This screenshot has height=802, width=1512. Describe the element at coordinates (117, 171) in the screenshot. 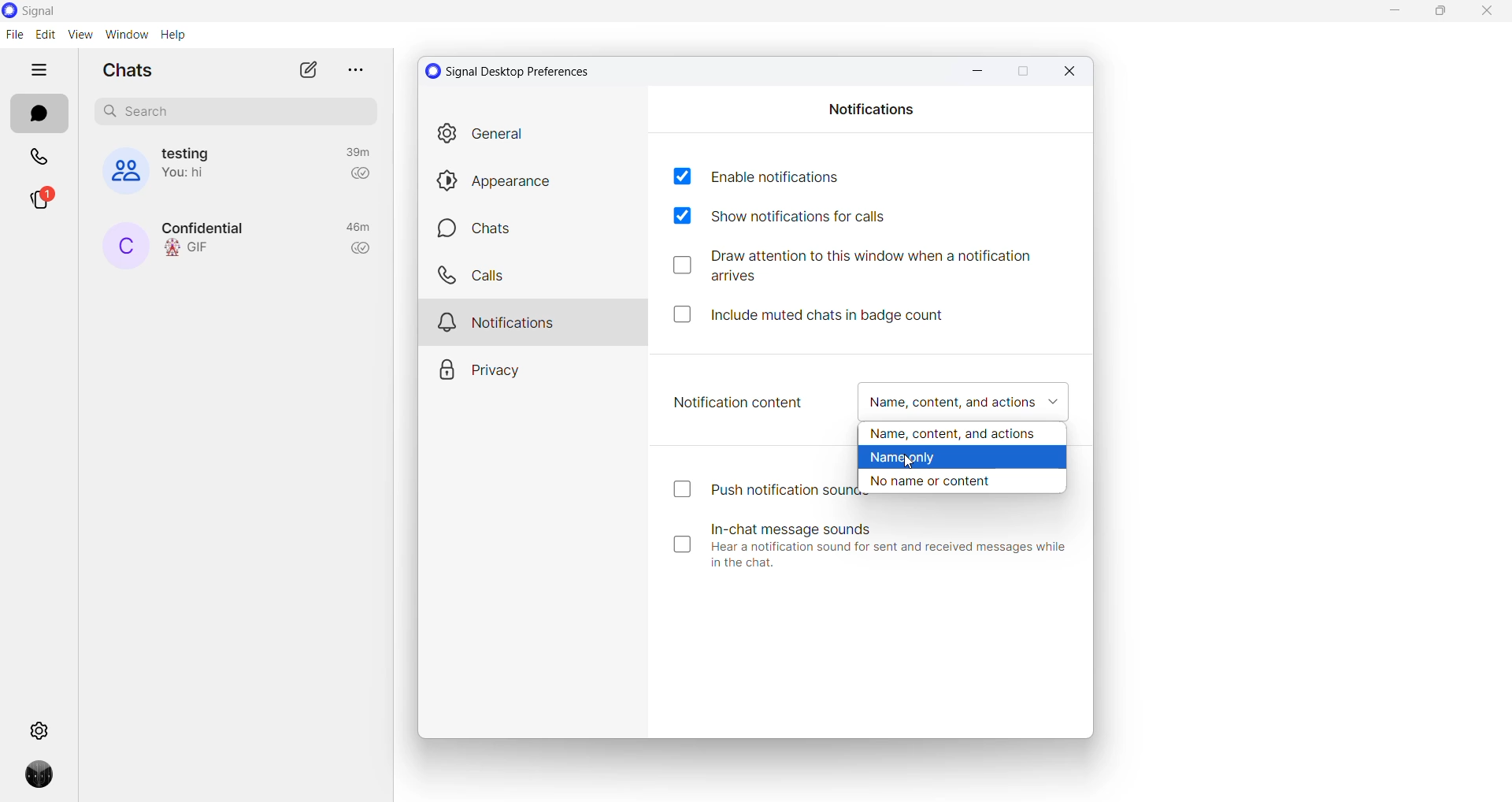

I see `group cover photo` at that location.